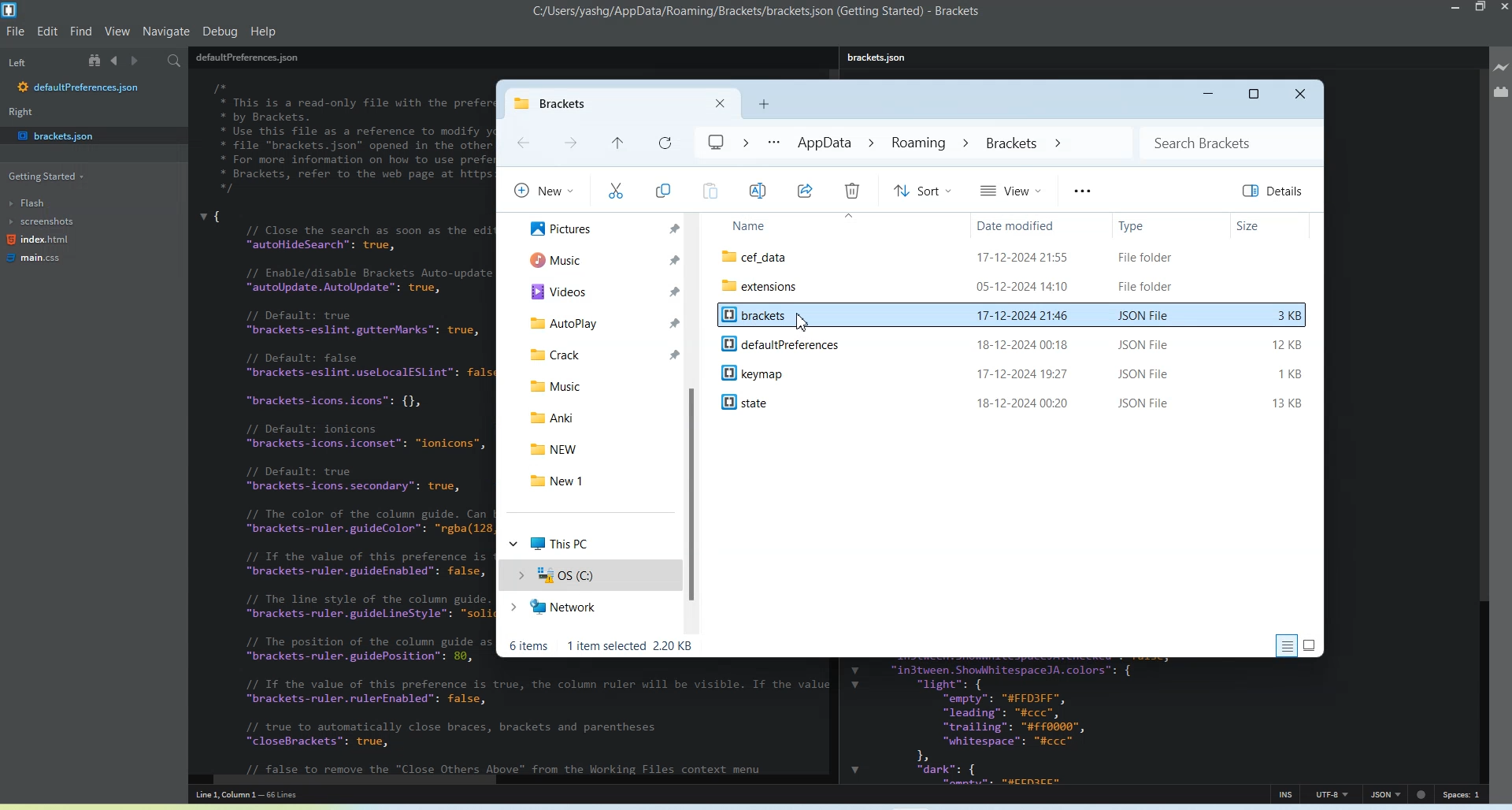  Describe the element at coordinates (1168, 225) in the screenshot. I see `Type` at that location.